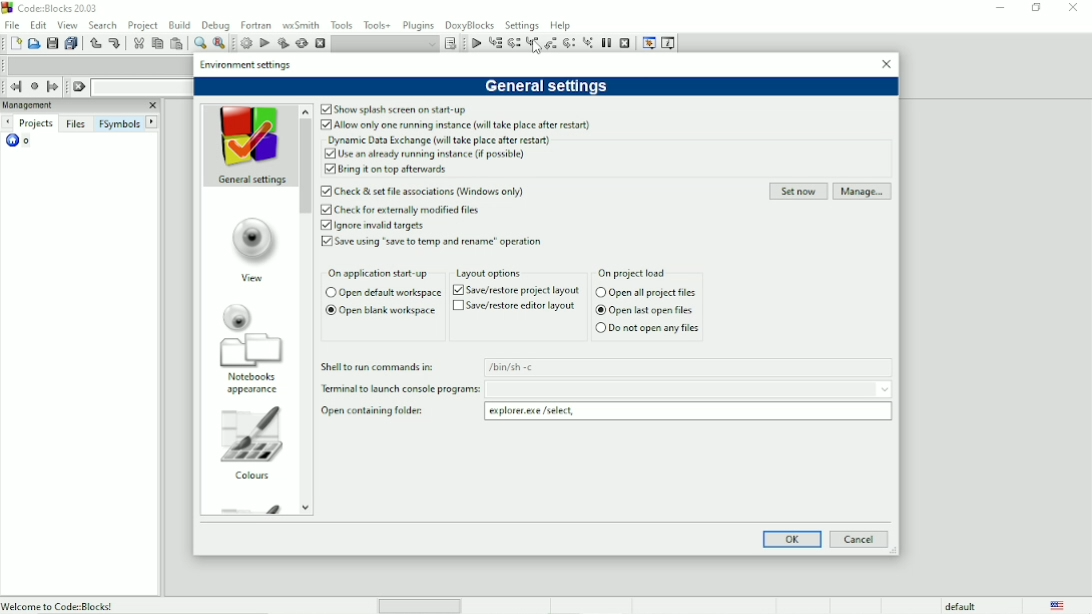  Describe the element at coordinates (450, 154) in the screenshot. I see `Use an already running instance` at that location.